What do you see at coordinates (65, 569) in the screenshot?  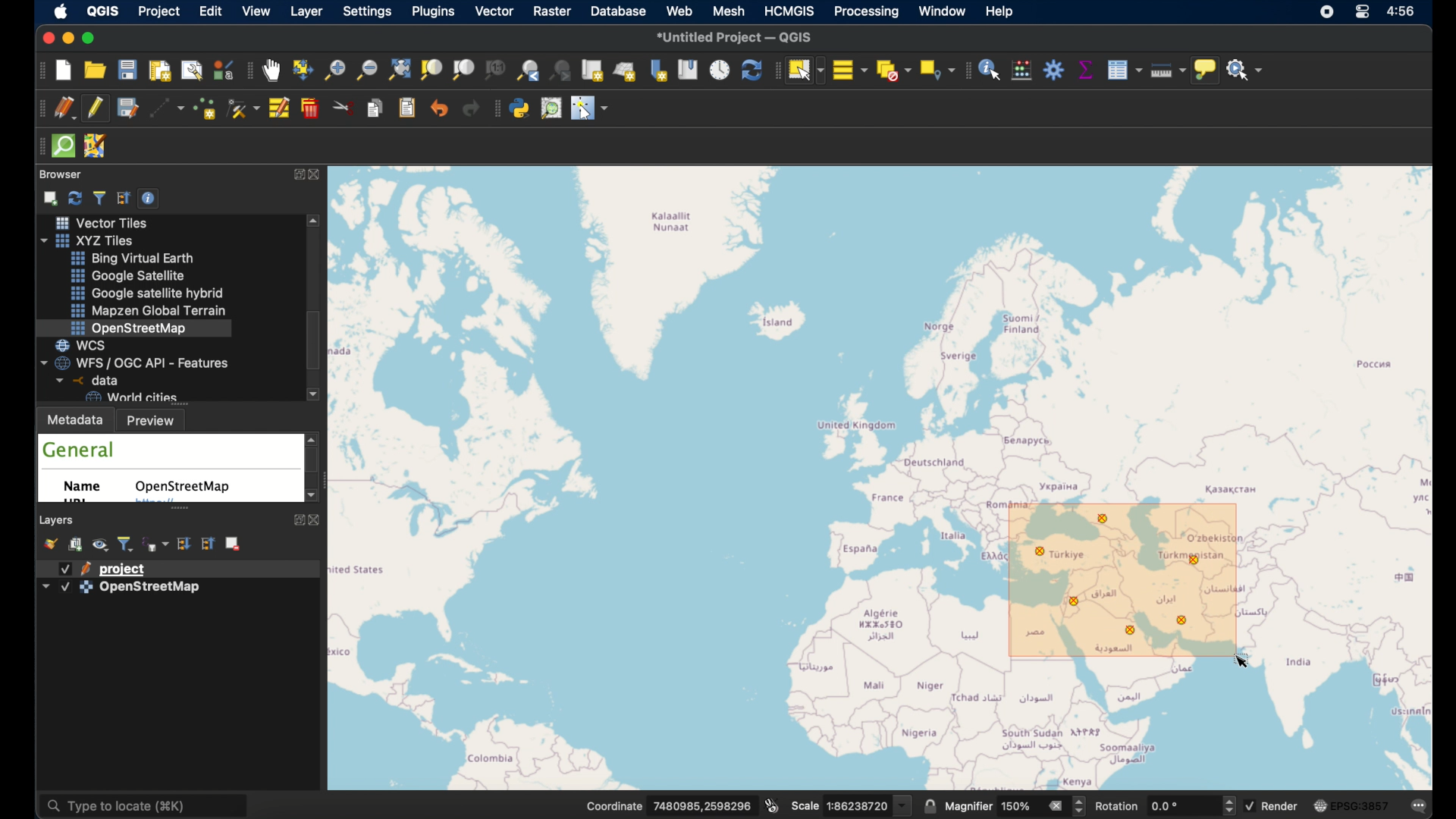 I see `checkbox` at bounding box center [65, 569].